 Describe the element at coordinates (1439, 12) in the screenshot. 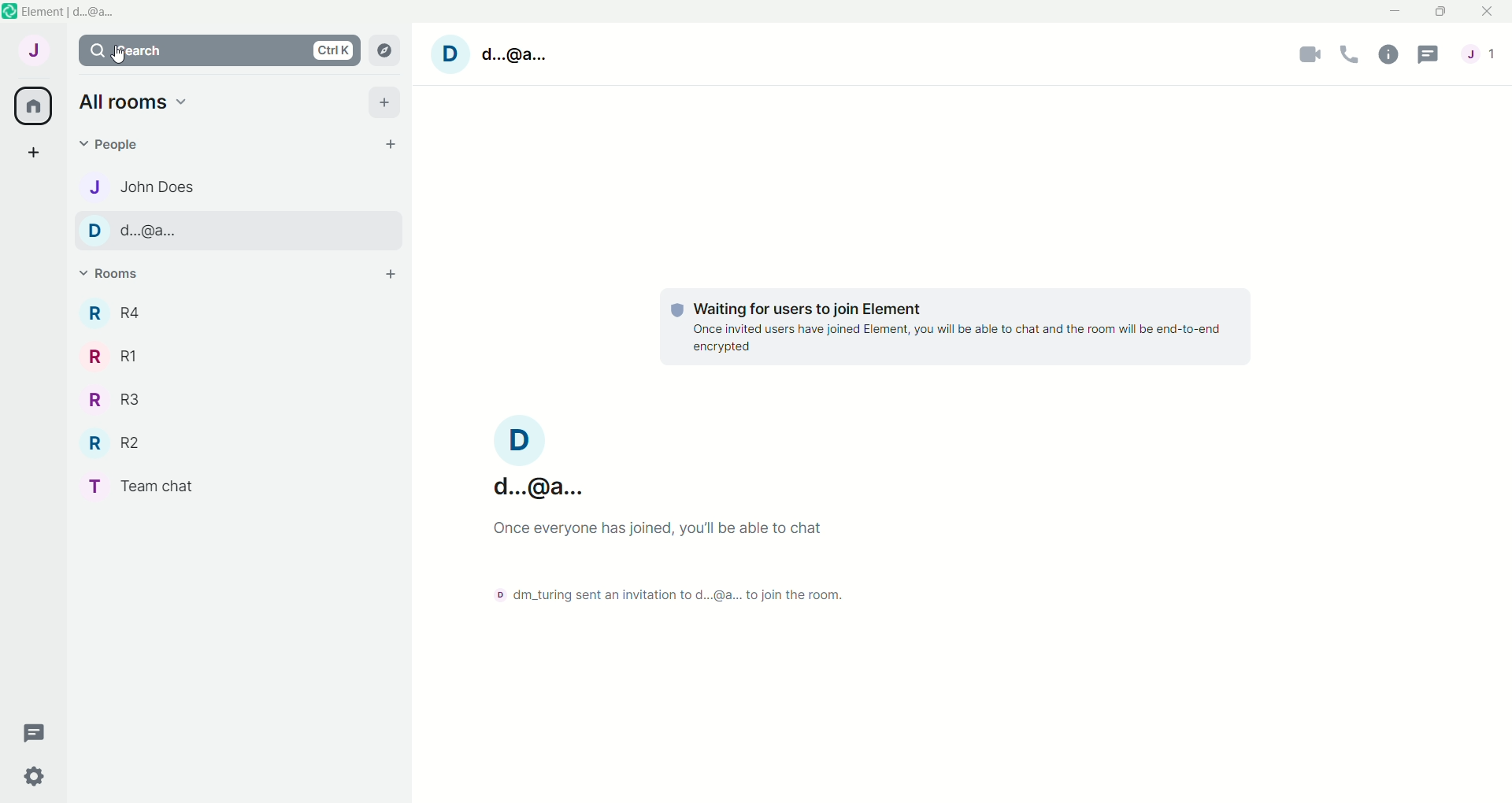

I see `maximize` at that location.